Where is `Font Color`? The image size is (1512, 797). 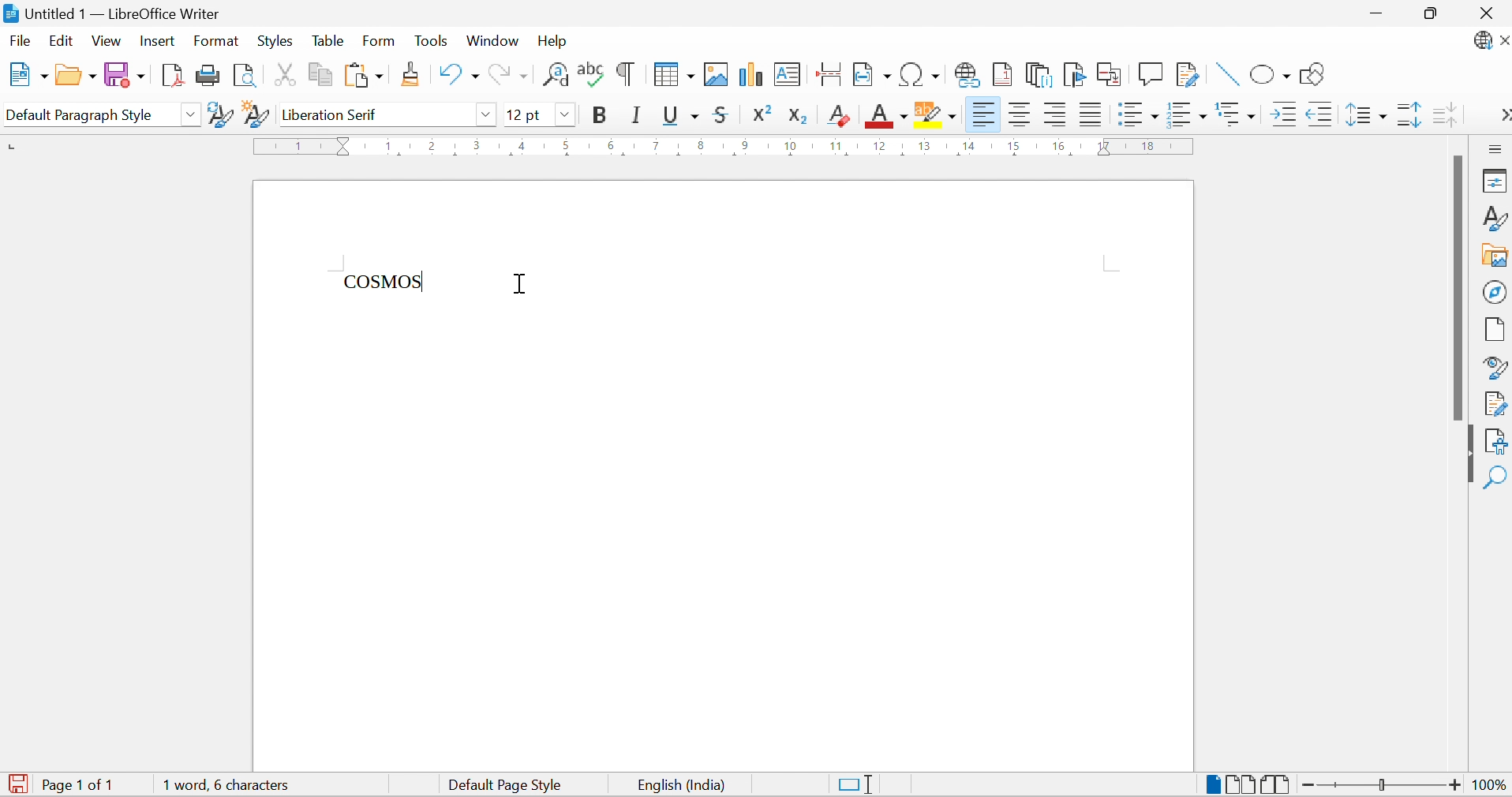 Font Color is located at coordinates (887, 114).